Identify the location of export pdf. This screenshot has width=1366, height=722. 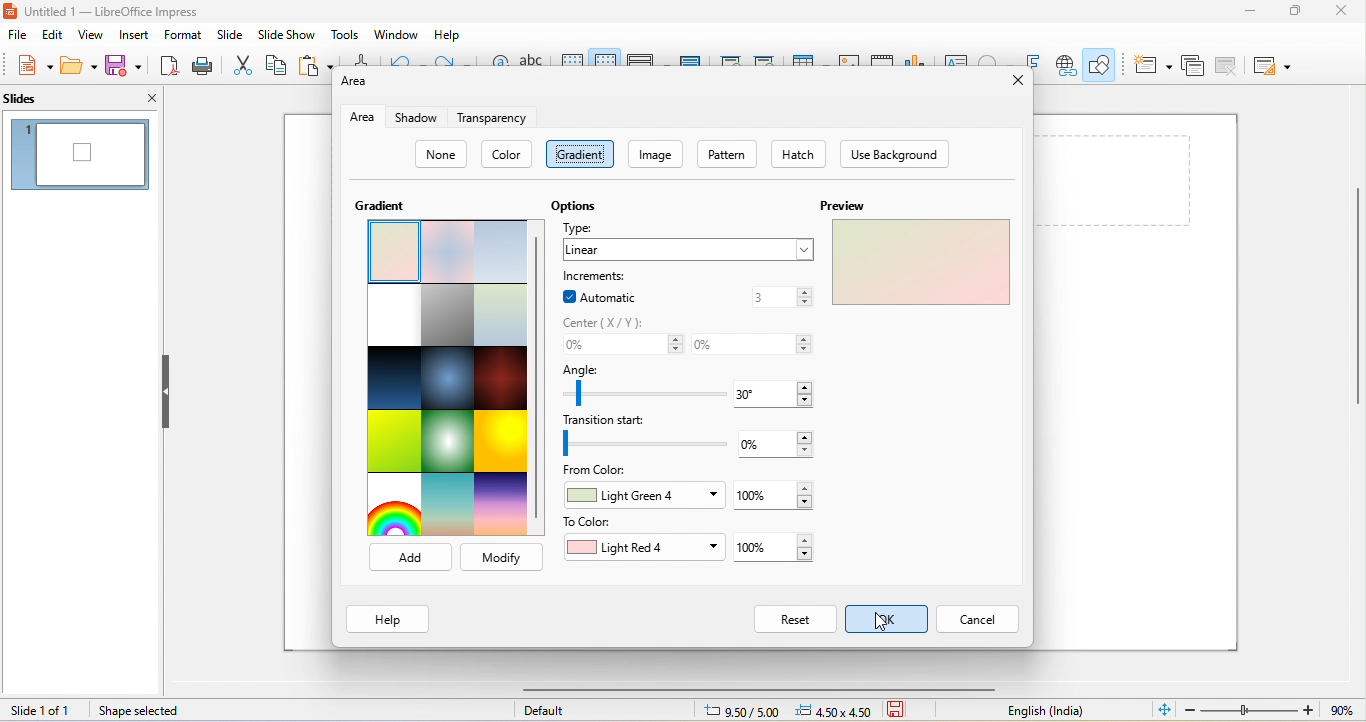
(169, 65).